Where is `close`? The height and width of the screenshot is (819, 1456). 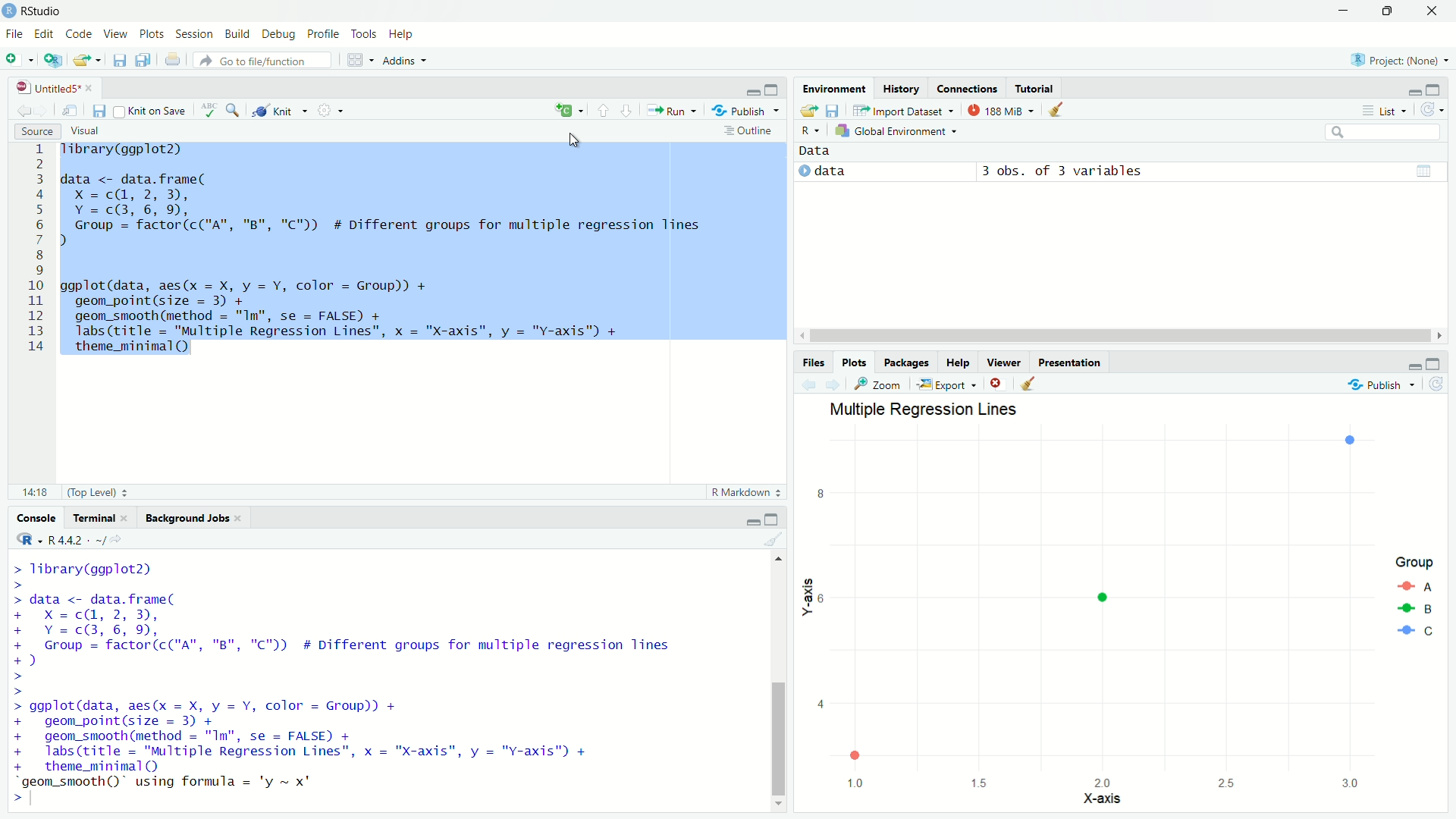
close is located at coordinates (996, 384).